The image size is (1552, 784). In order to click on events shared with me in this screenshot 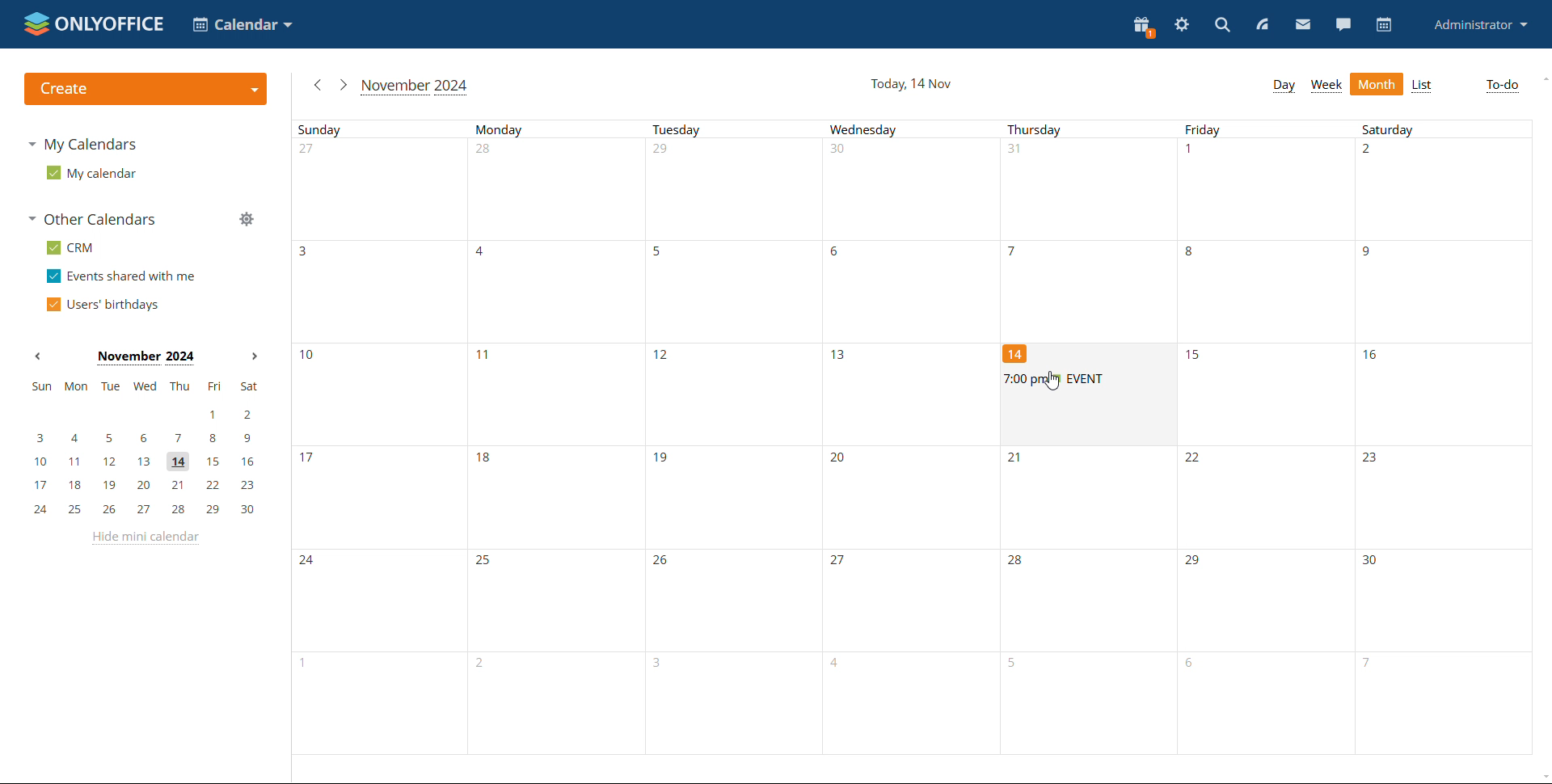, I will do `click(120, 276)`.